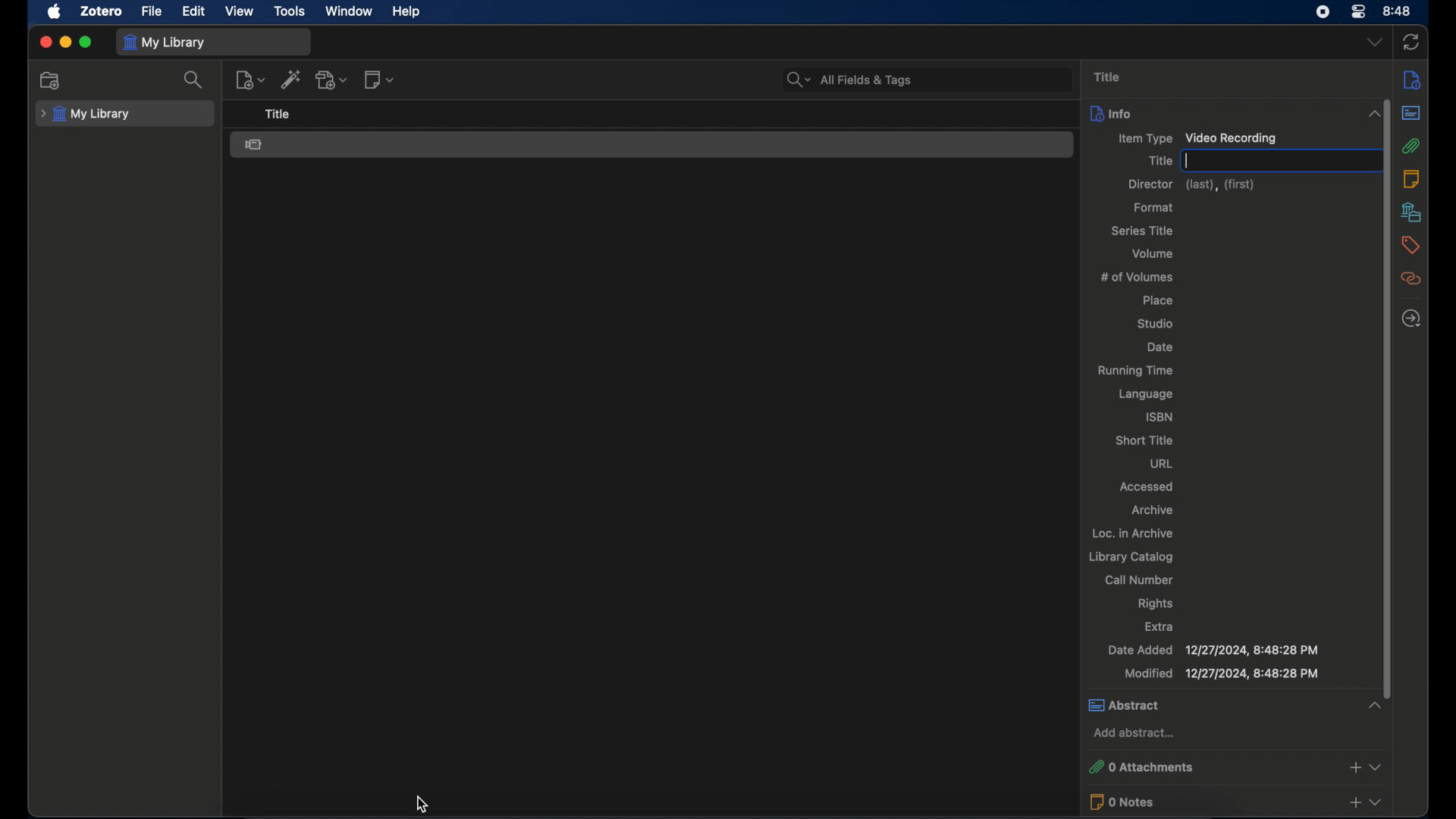 Image resolution: width=1456 pixels, height=819 pixels. I want to click on window, so click(349, 11).